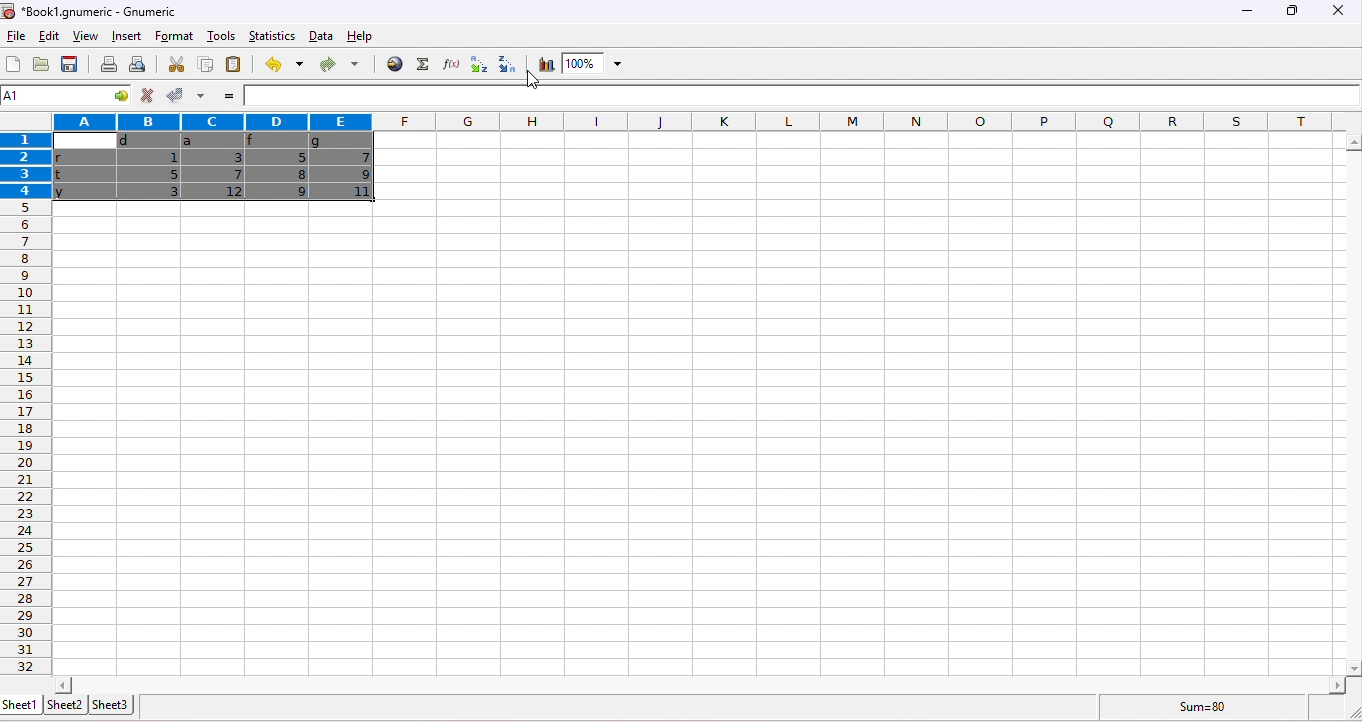 Image resolution: width=1362 pixels, height=722 pixels. I want to click on format, so click(175, 36).